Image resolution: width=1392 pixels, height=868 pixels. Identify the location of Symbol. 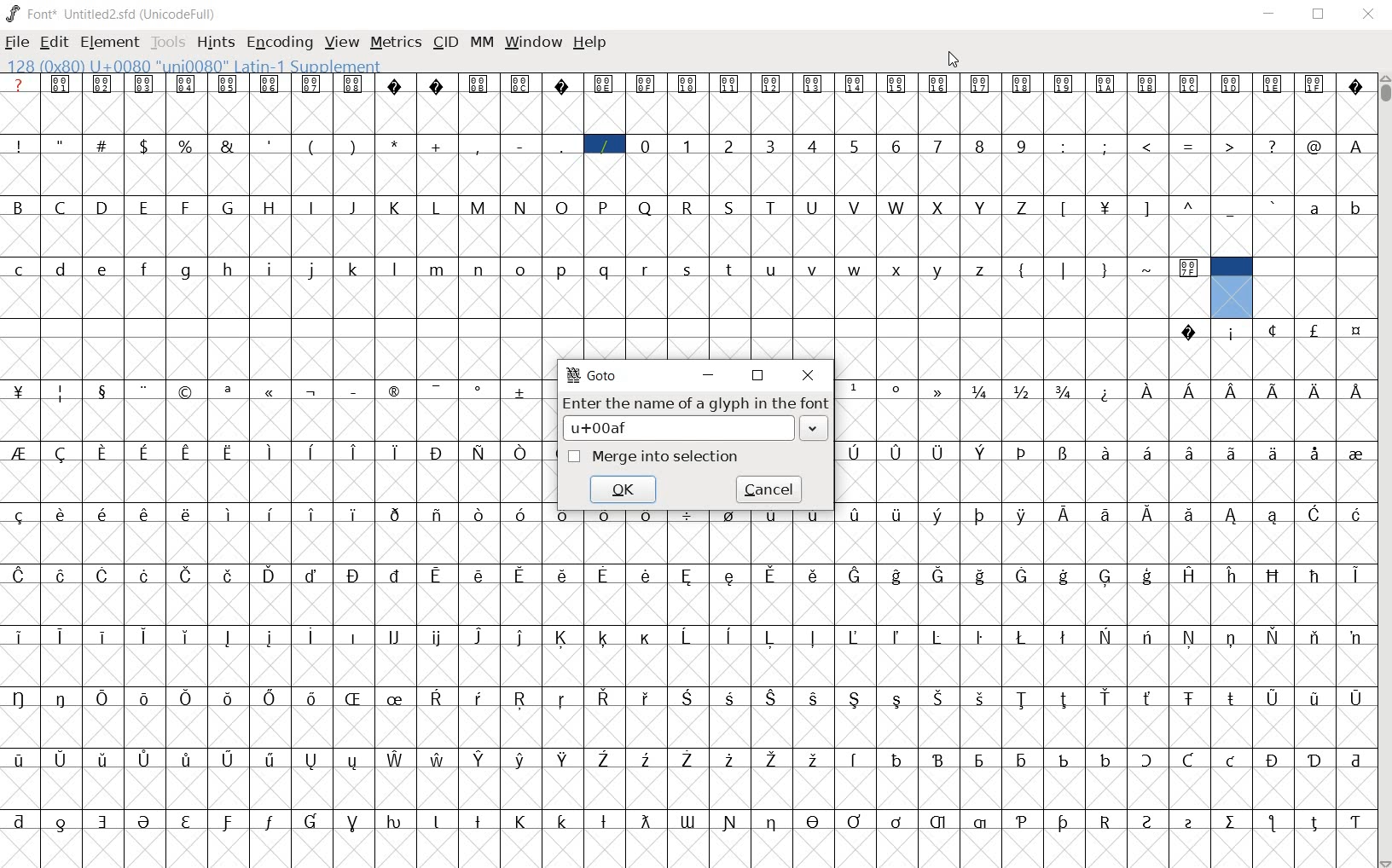
(1189, 697).